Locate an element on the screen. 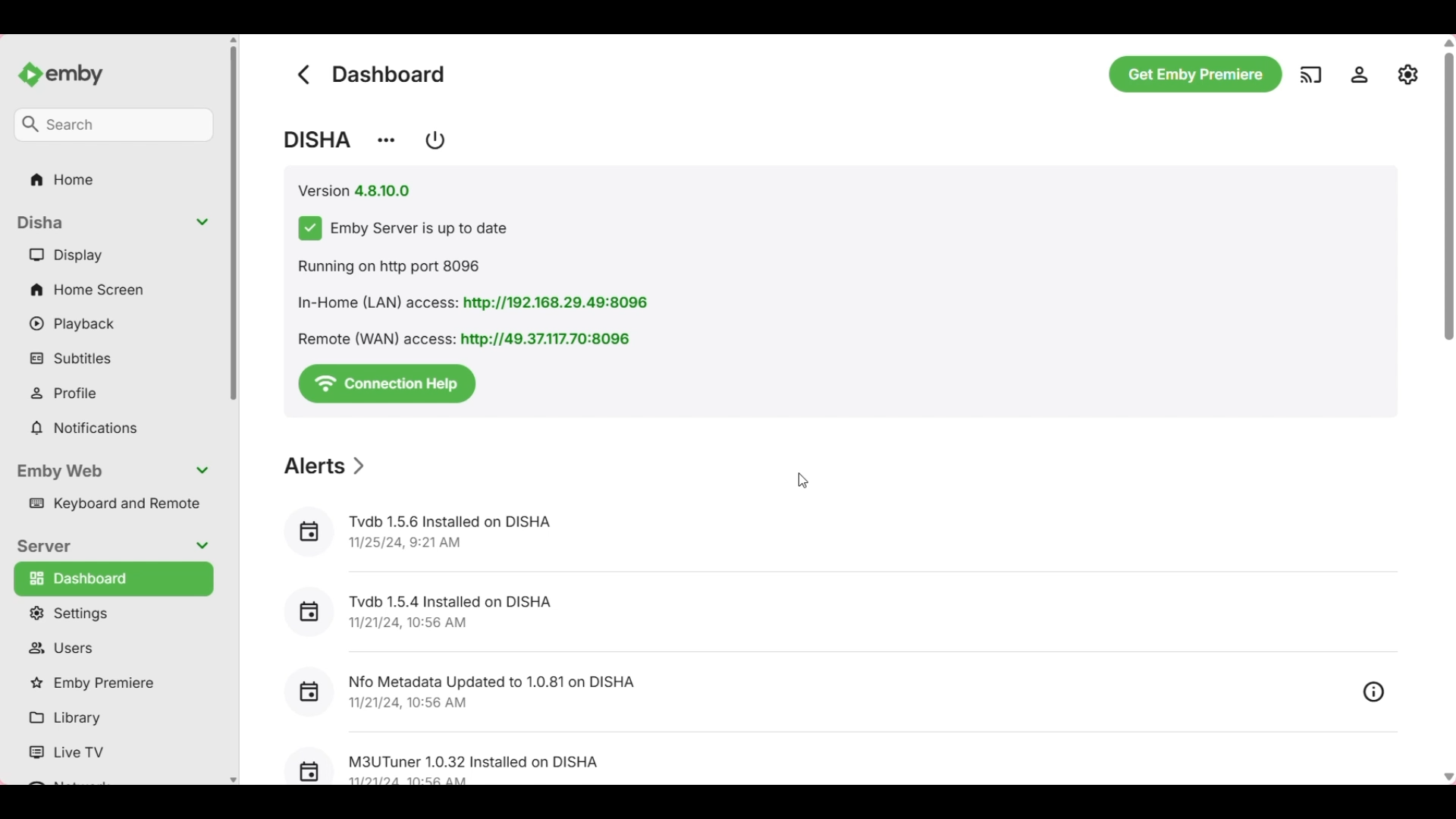  Notifications  is located at coordinates (113, 428).